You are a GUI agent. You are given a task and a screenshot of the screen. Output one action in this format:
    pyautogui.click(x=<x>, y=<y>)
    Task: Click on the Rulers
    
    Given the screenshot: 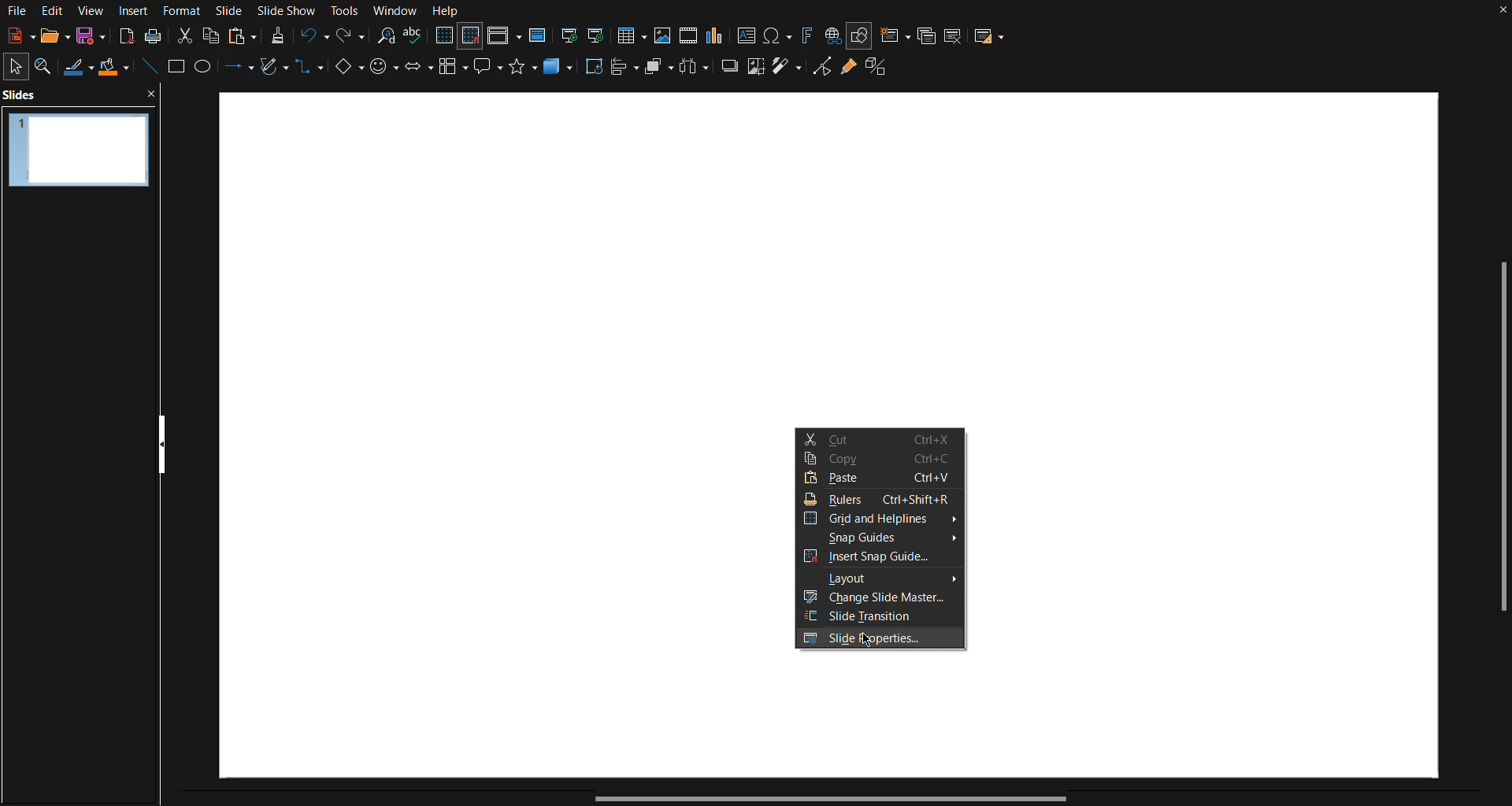 What is the action you would take?
    pyautogui.click(x=881, y=499)
    